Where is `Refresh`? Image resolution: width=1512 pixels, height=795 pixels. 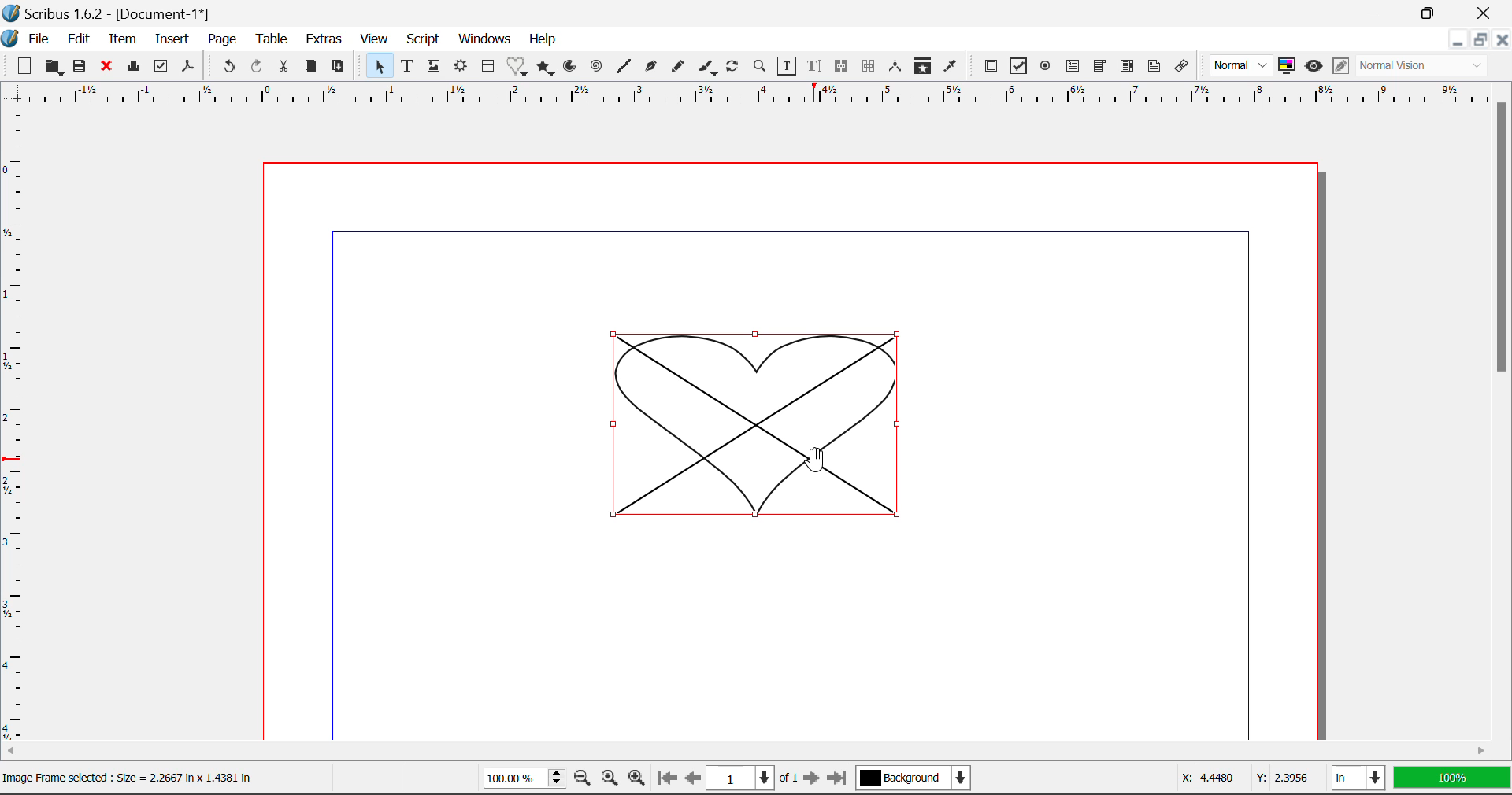
Refresh is located at coordinates (736, 68).